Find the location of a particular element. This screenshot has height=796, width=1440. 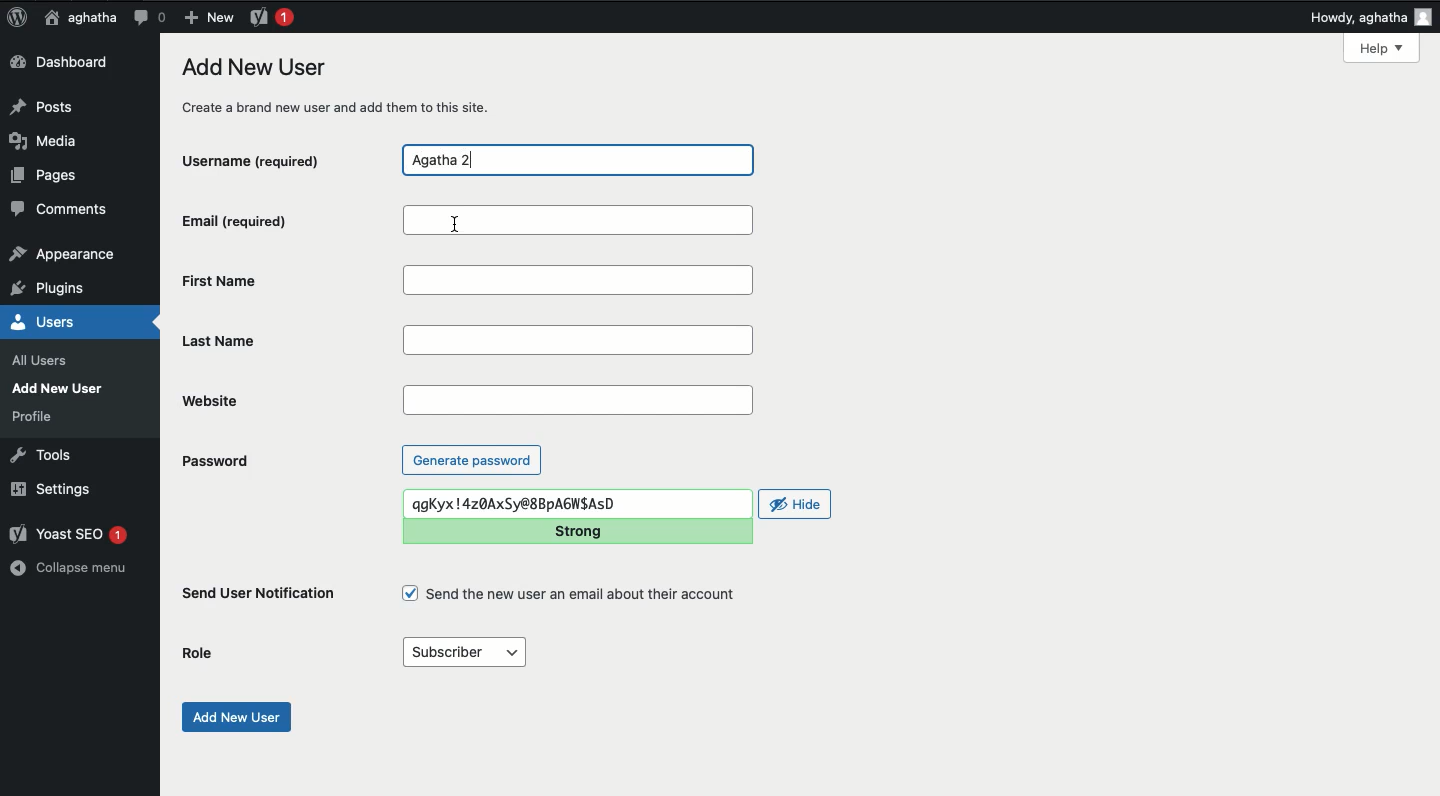

Email is located at coordinates (577, 219).